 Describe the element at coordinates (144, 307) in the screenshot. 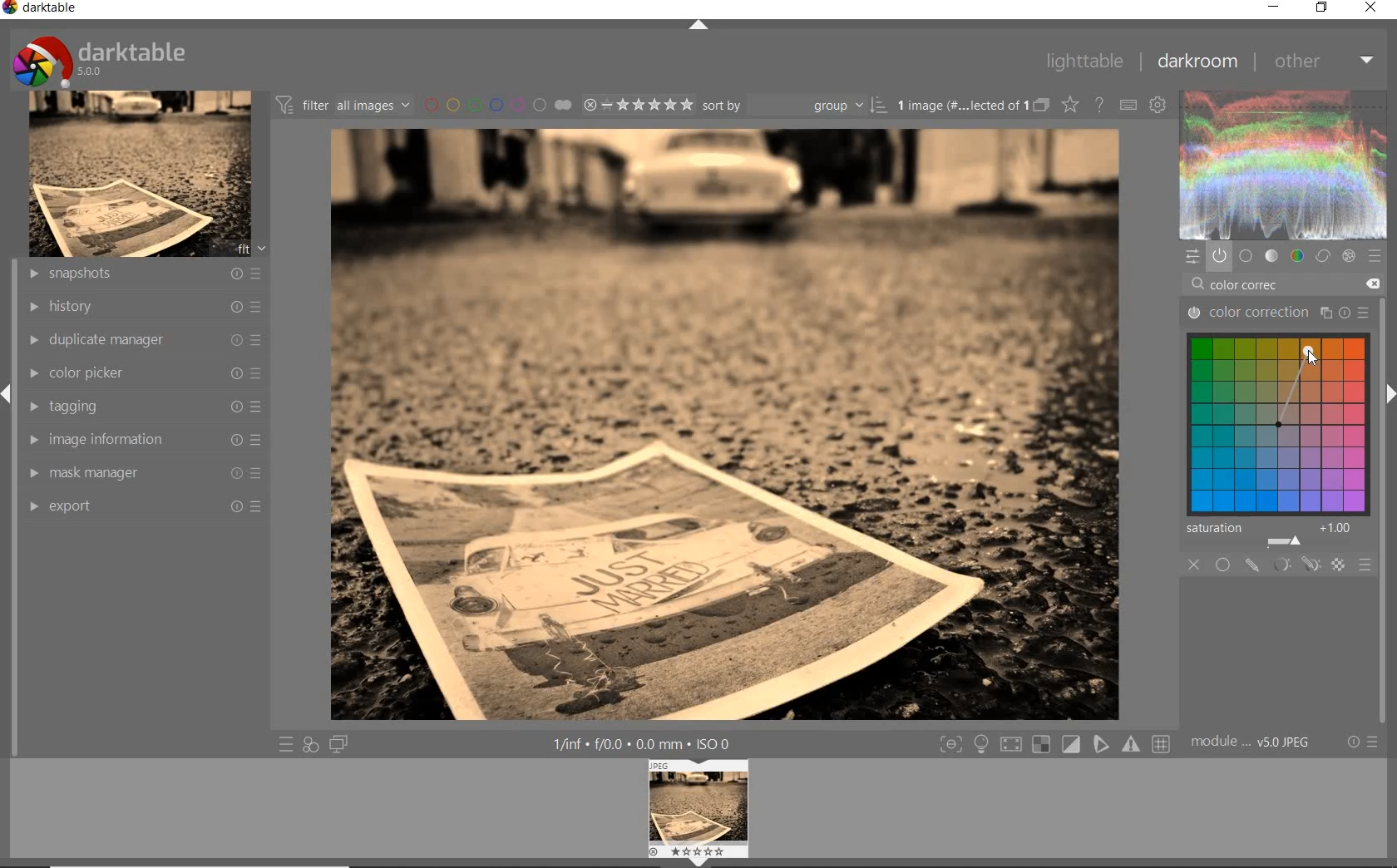

I see `history` at that location.